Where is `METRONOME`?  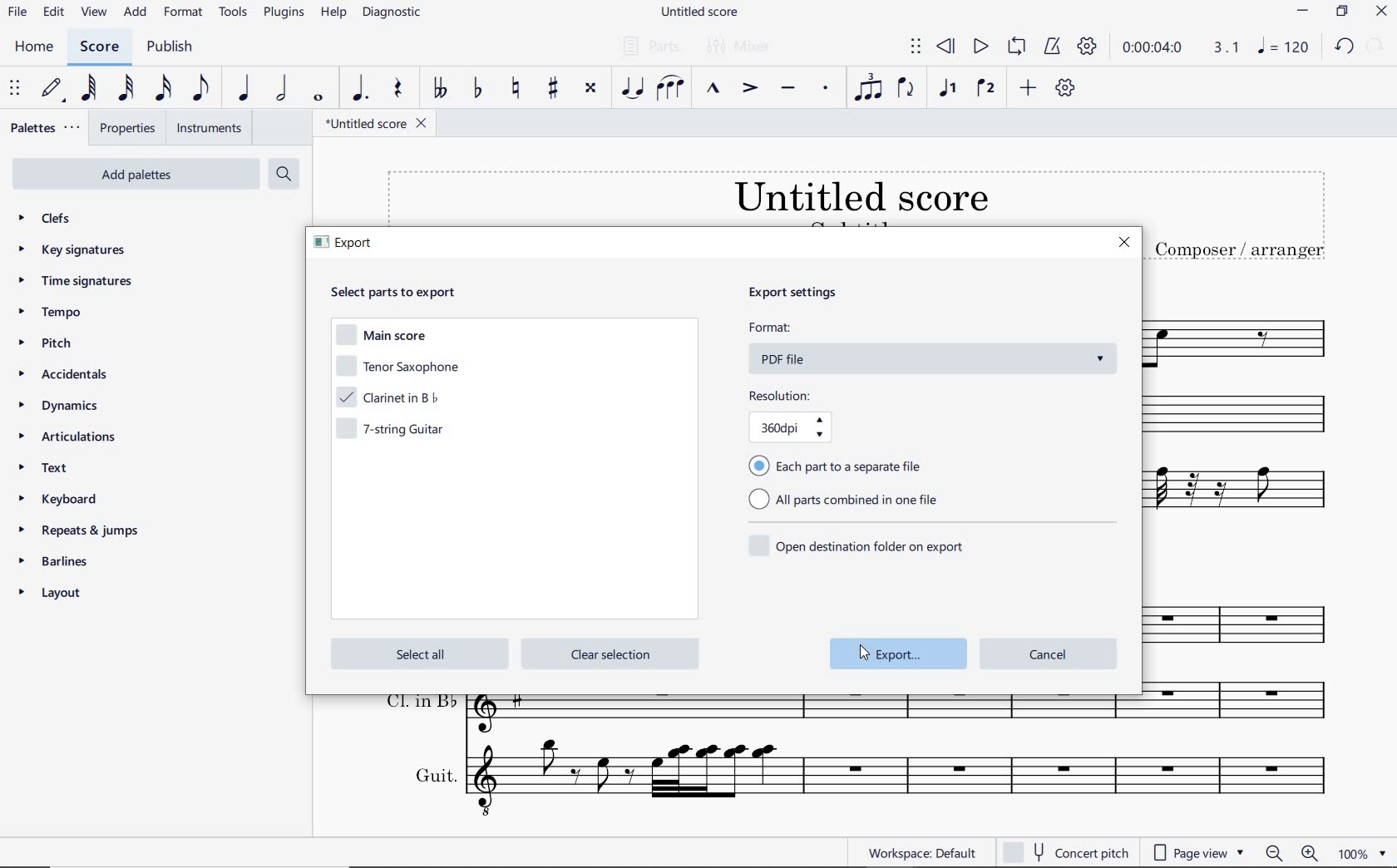
METRONOME is located at coordinates (1054, 47).